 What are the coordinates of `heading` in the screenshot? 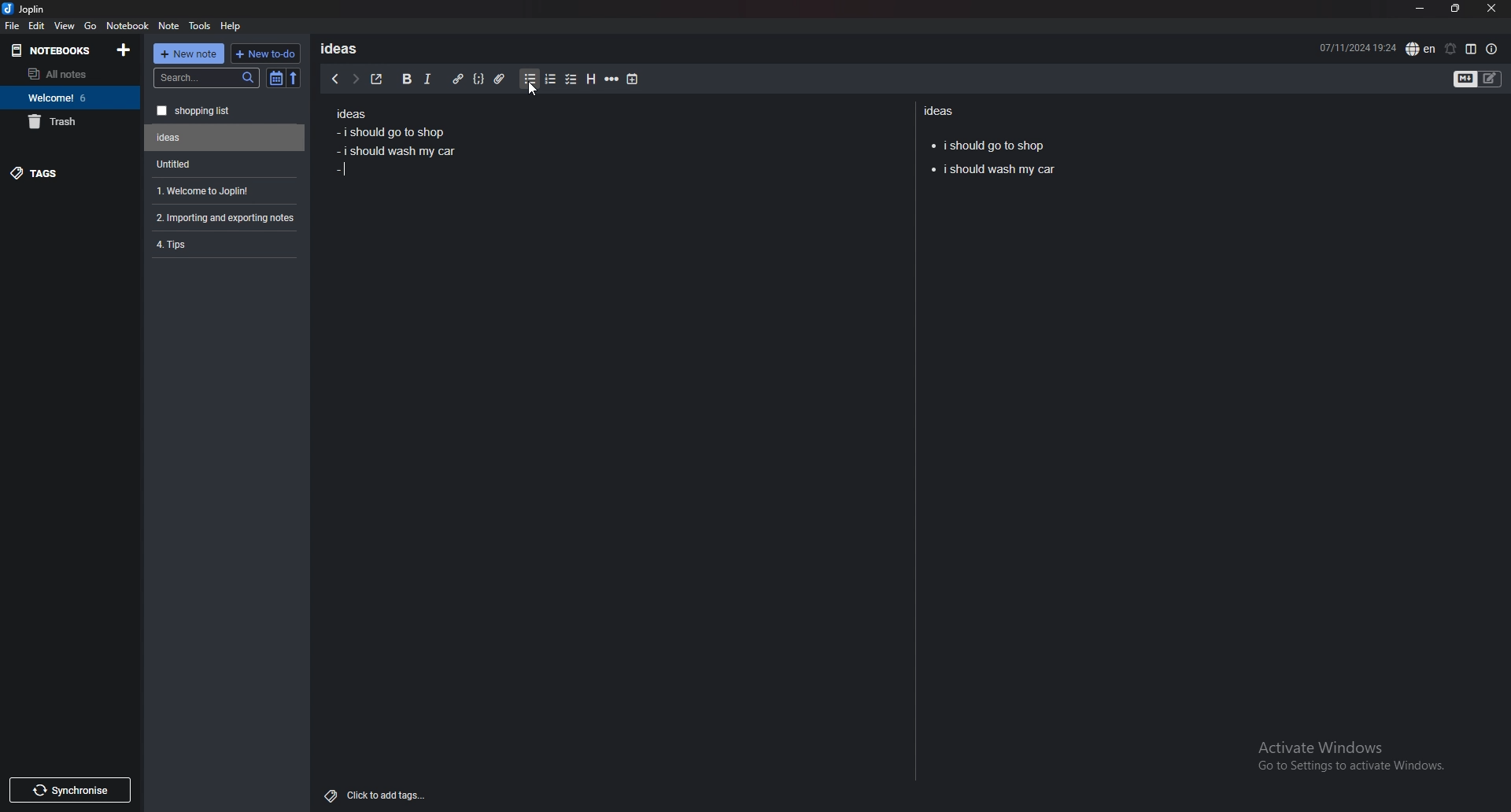 It's located at (589, 79).